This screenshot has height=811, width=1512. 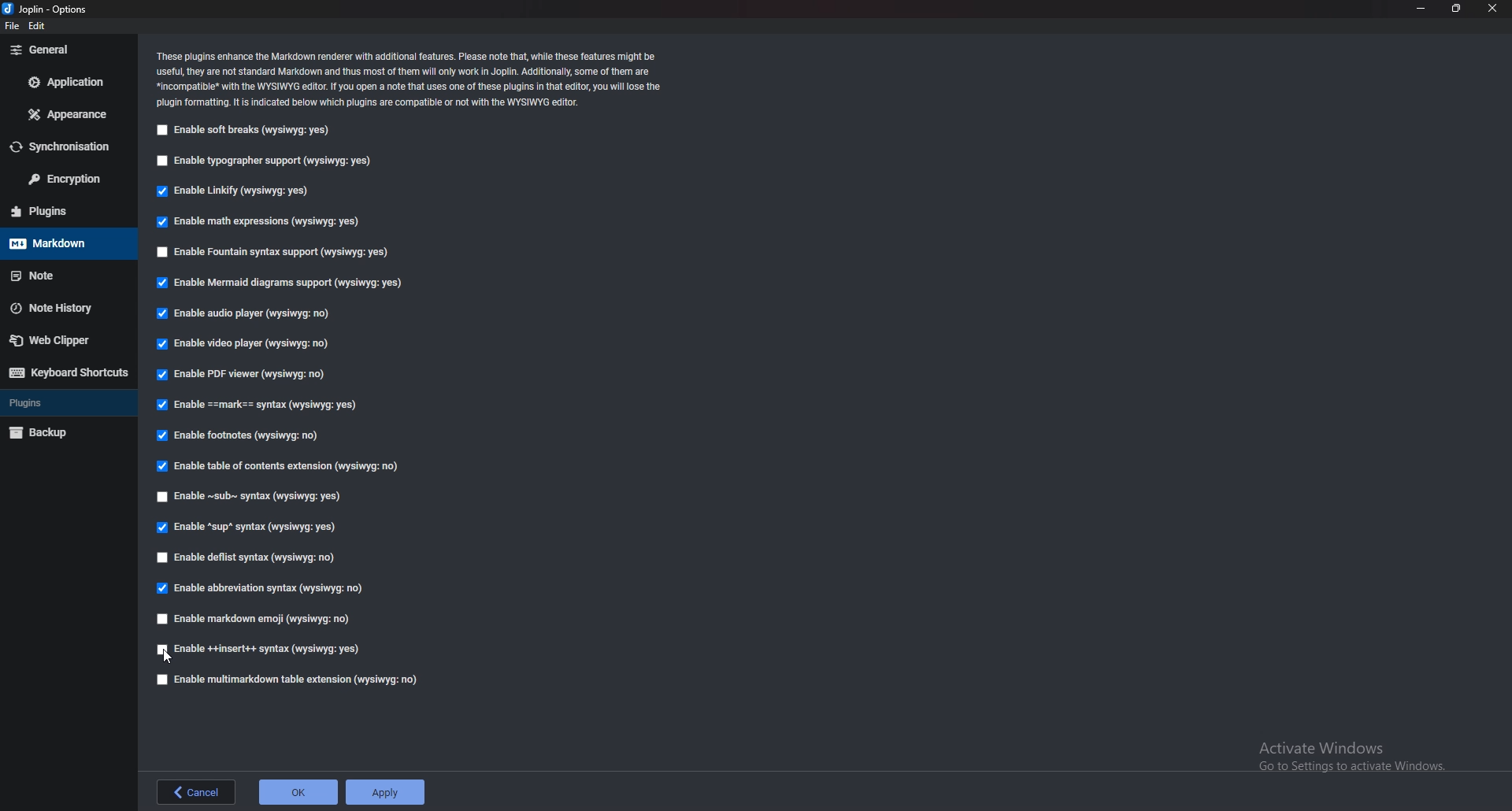 What do you see at coordinates (283, 466) in the screenshot?
I see `Enable table of contents extension (wysiwyg: no)` at bounding box center [283, 466].